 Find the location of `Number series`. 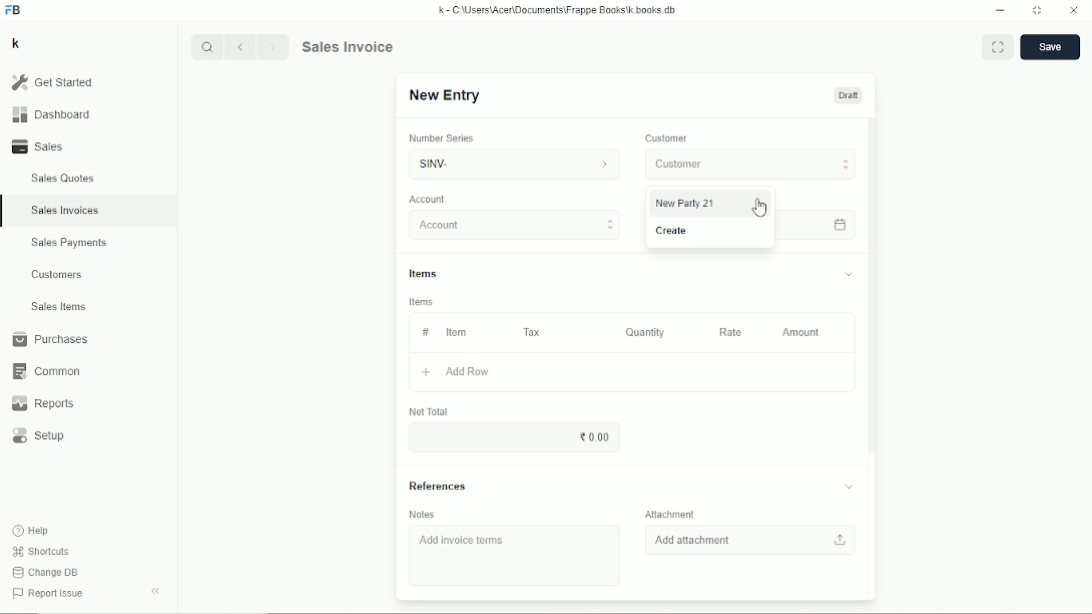

Number series is located at coordinates (442, 138).